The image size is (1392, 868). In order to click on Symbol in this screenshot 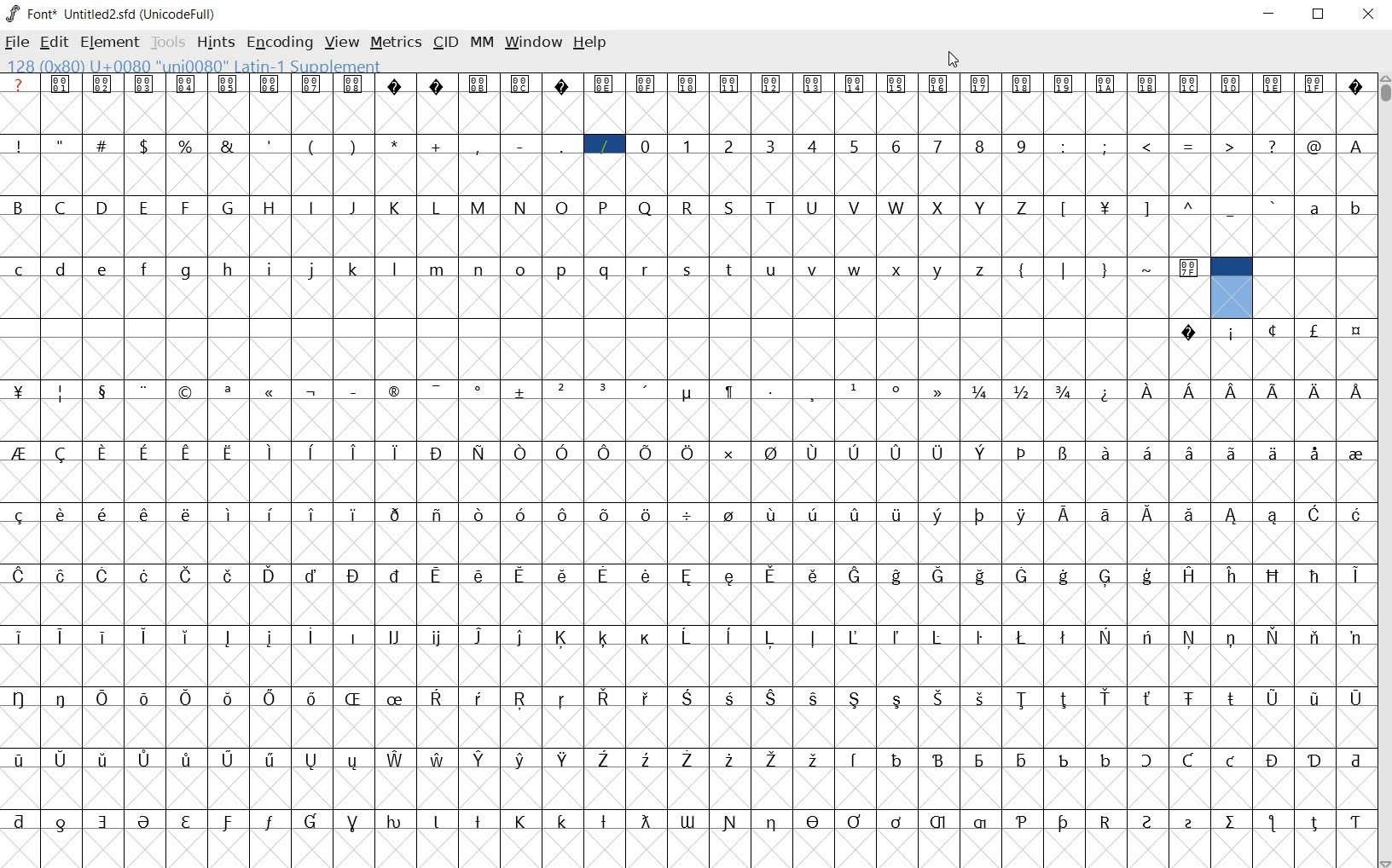, I will do `click(858, 84)`.